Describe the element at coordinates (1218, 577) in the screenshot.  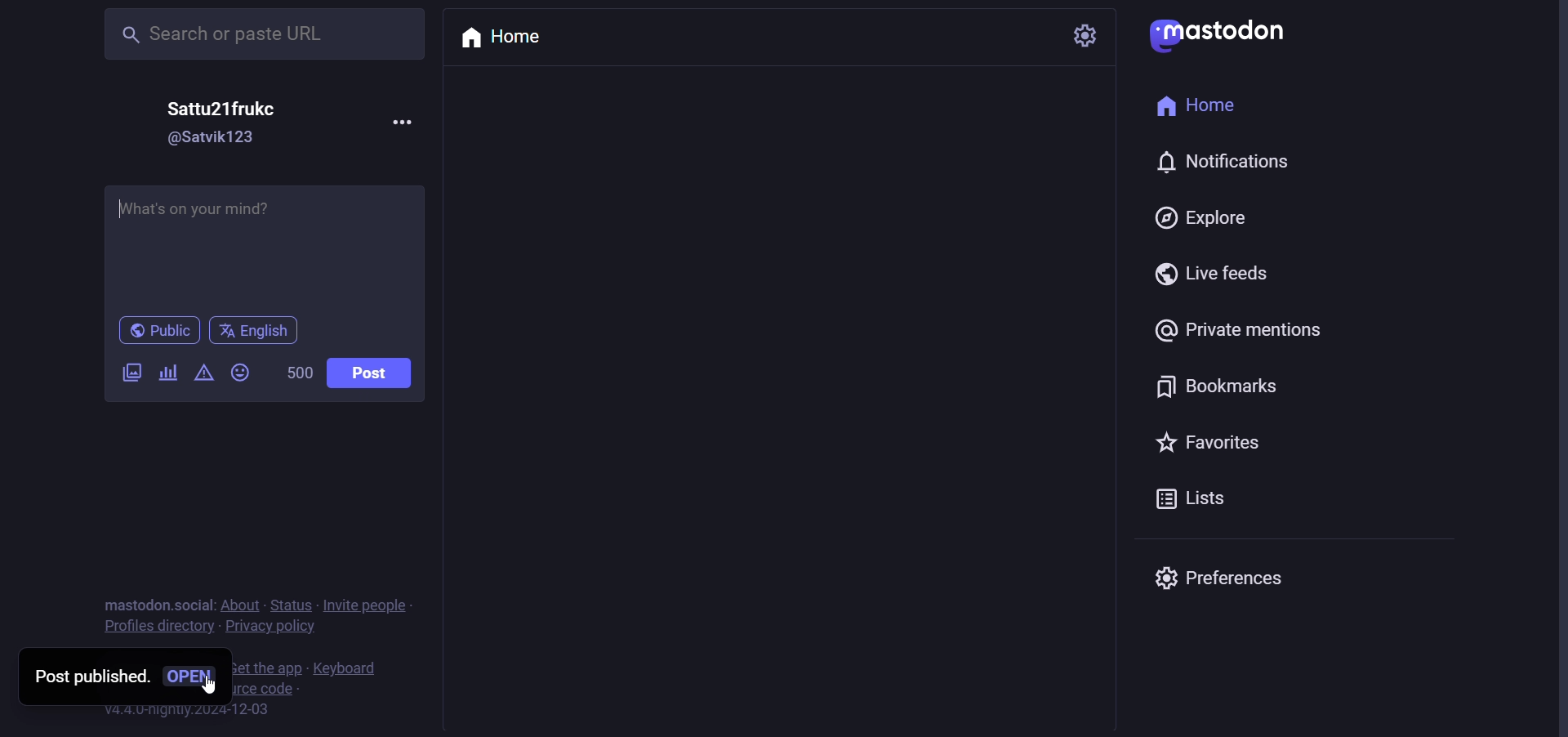
I see `preferences` at that location.